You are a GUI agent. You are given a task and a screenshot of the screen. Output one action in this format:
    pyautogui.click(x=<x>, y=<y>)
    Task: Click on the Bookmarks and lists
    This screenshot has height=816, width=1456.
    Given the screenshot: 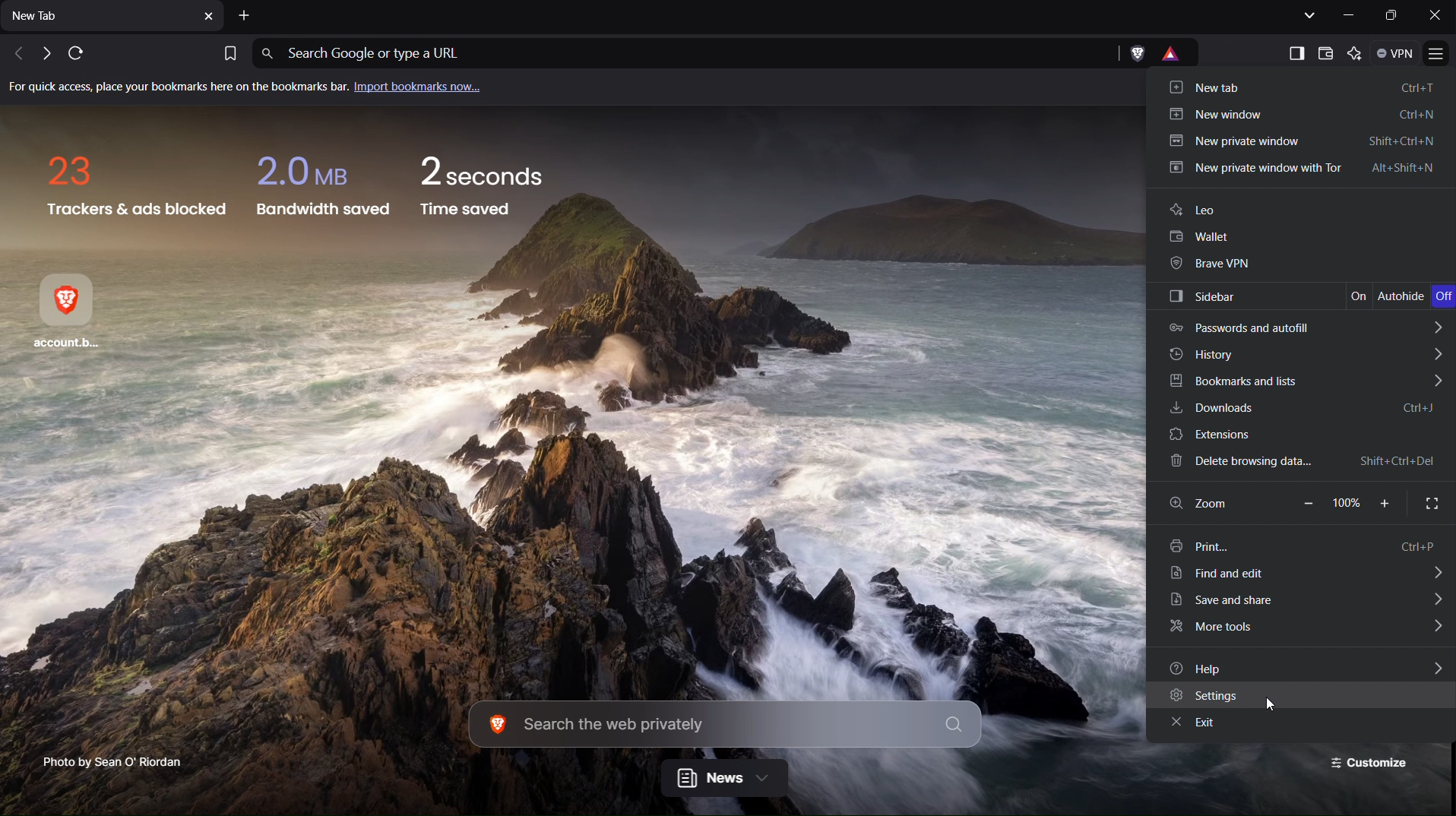 What is the action you would take?
    pyautogui.click(x=1300, y=381)
    